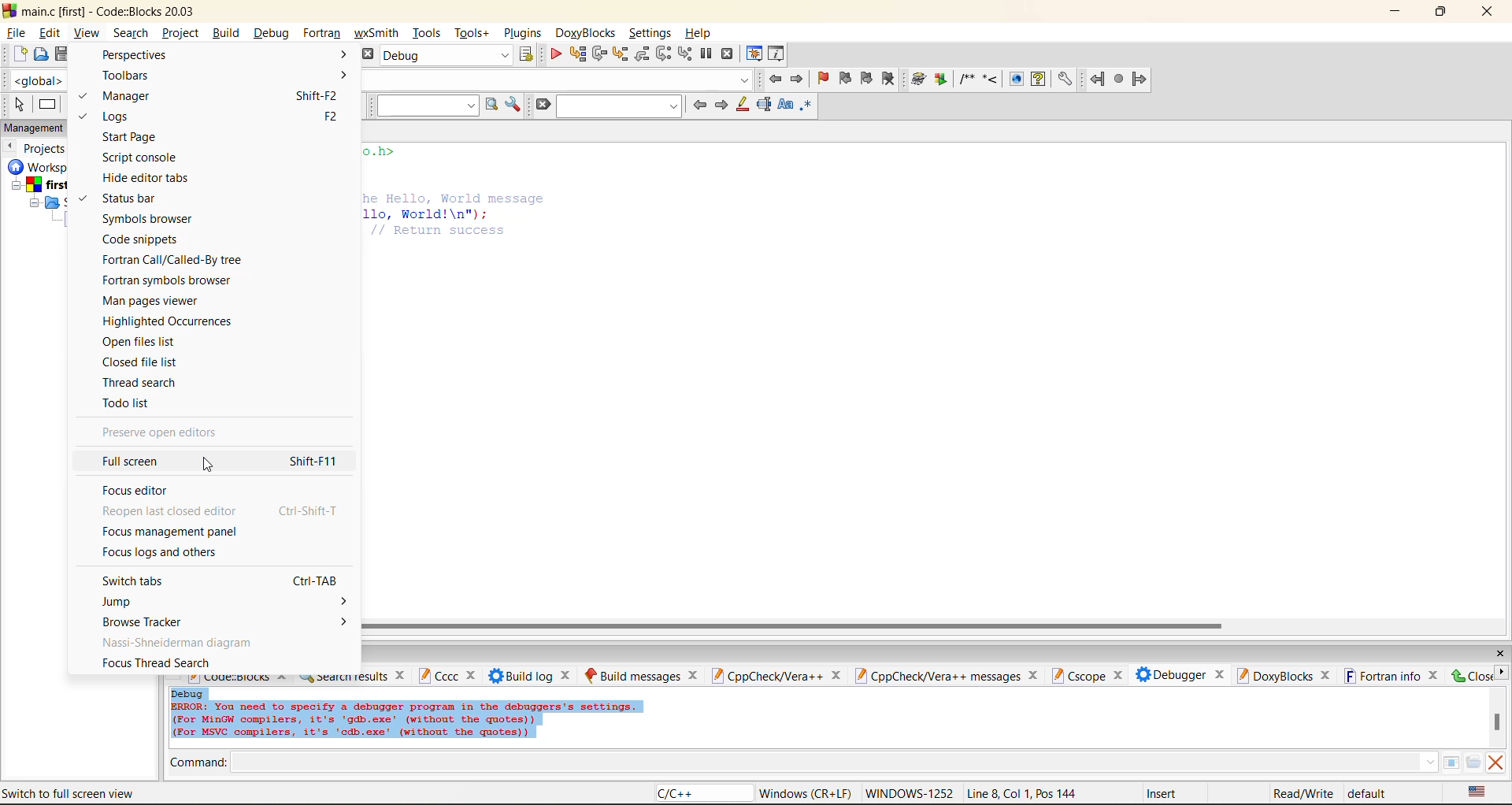  Describe the element at coordinates (909, 794) in the screenshot. I see `'WINDOWS-1252` at that location.